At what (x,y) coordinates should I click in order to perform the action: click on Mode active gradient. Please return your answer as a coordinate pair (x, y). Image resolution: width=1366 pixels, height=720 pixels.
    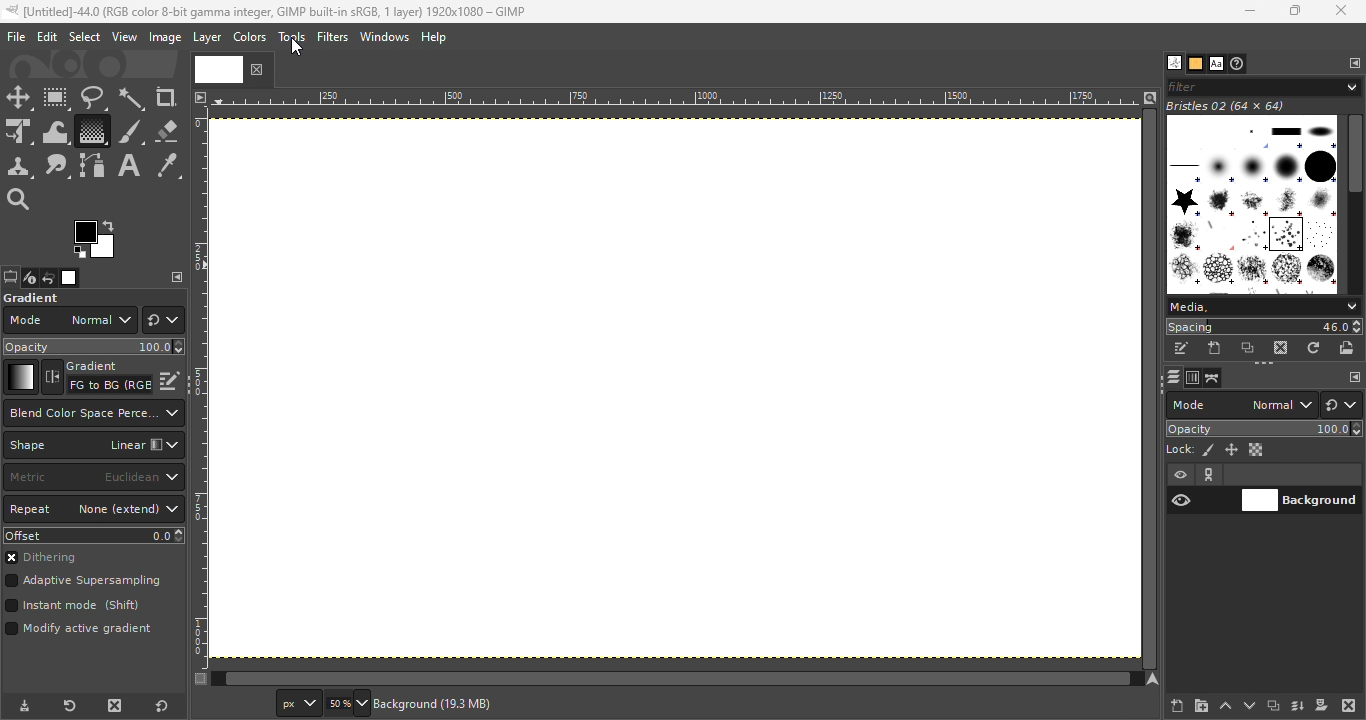
    Looking at the image, I should click on (82, 633).